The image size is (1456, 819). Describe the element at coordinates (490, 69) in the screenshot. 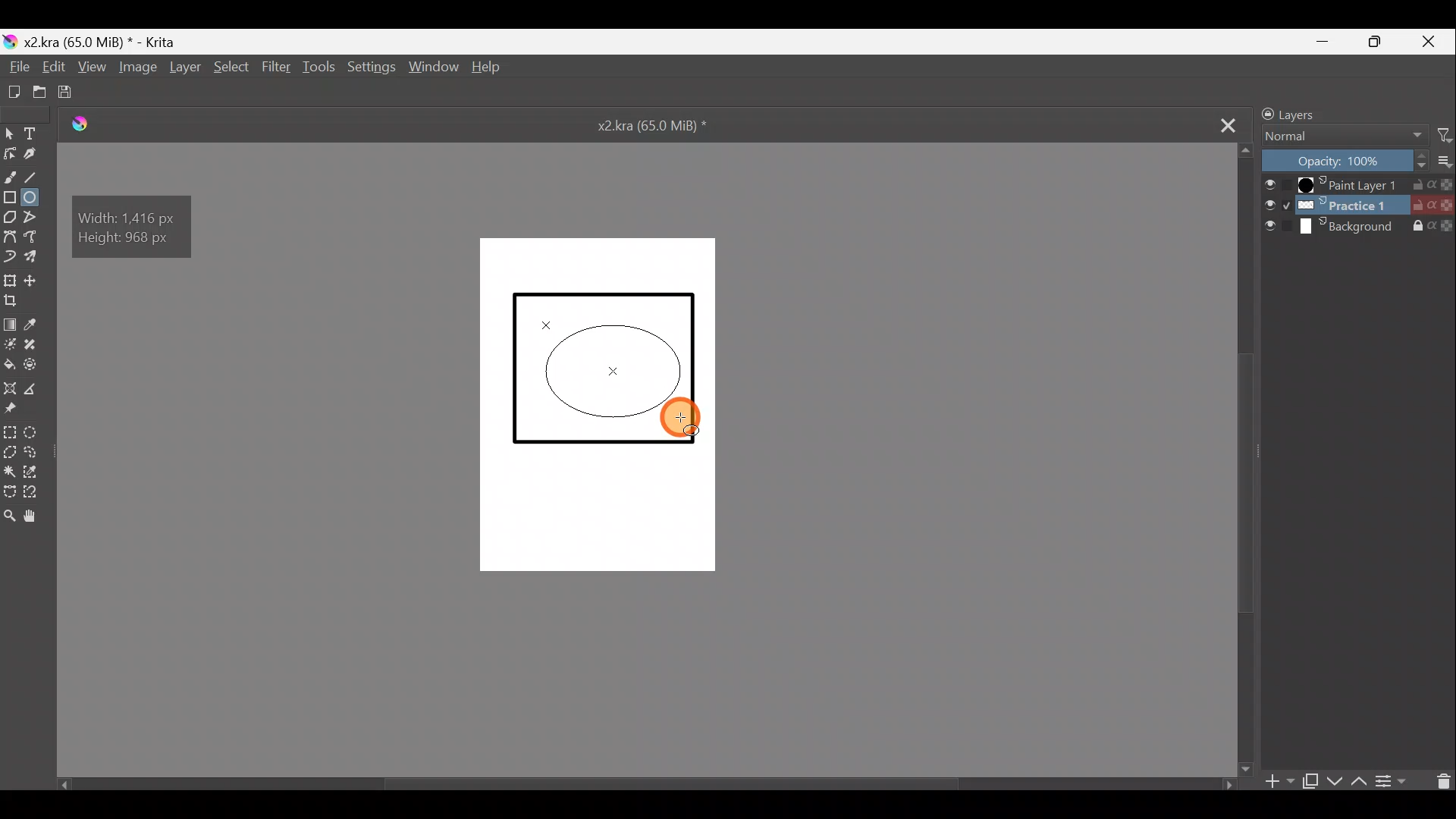

I see `Help` at that location.